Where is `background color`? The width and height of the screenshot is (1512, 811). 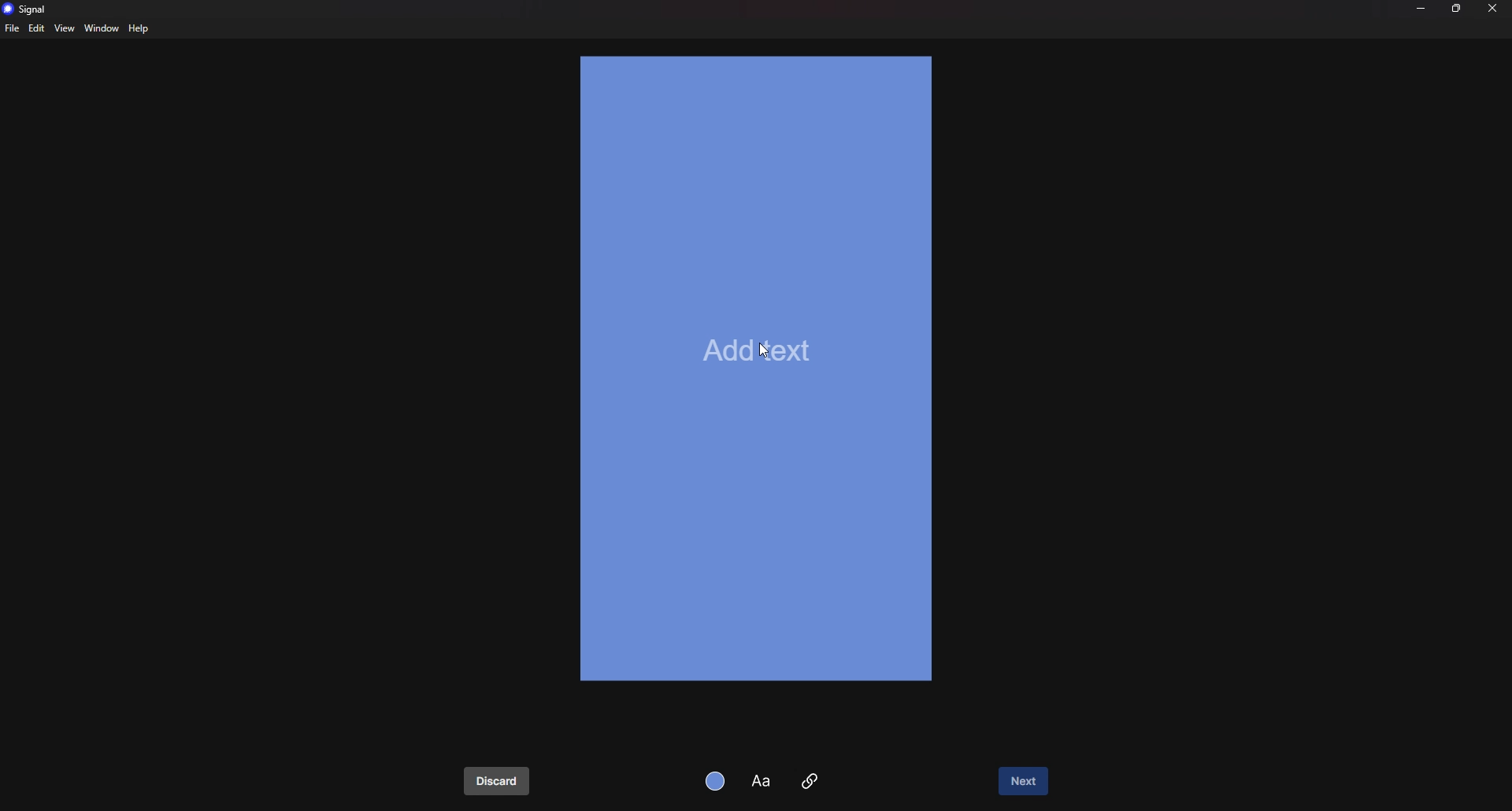
background color is located at coordinates (717, 780).